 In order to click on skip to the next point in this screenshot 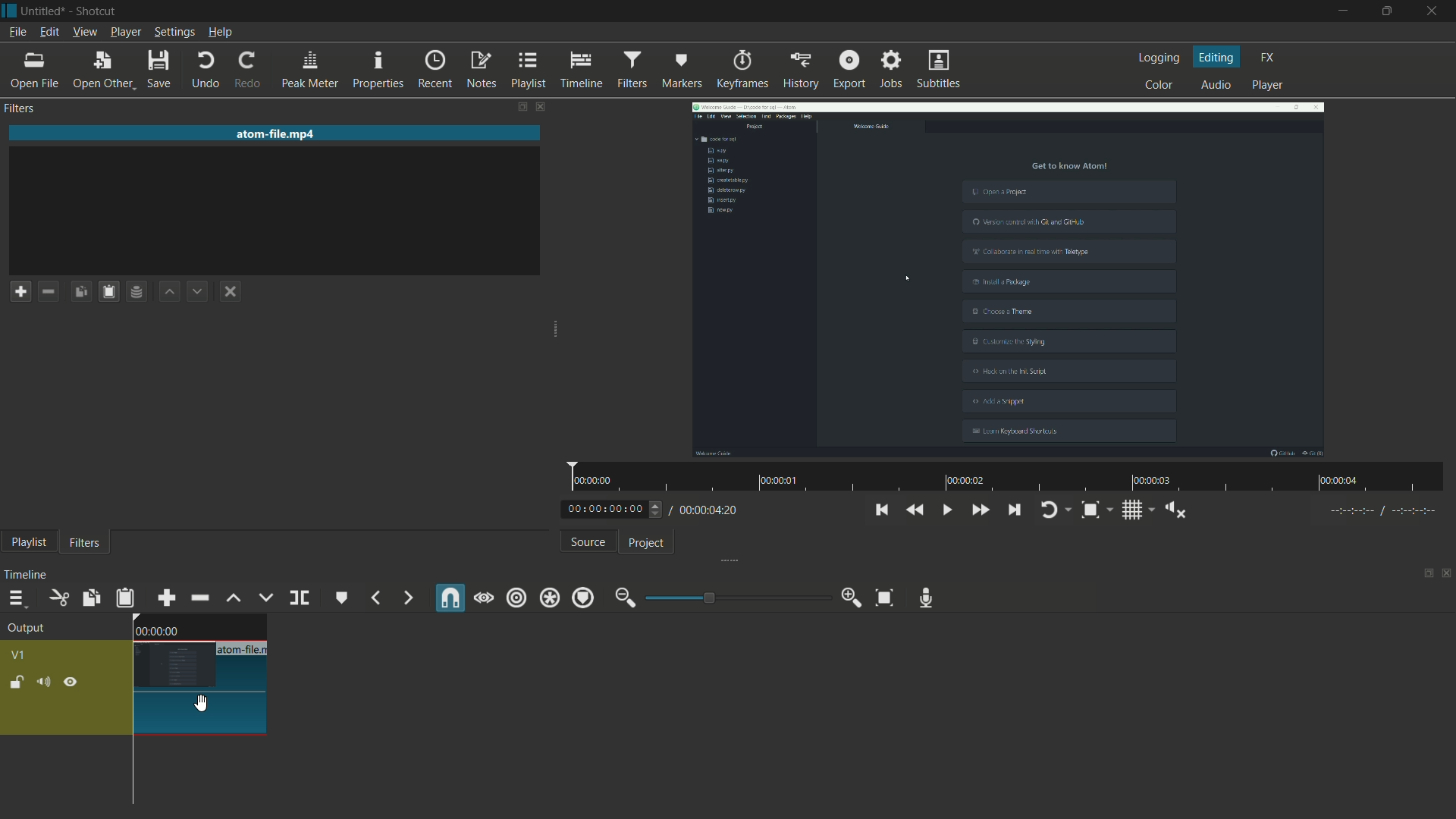, I will do `click(1014, 510)`.